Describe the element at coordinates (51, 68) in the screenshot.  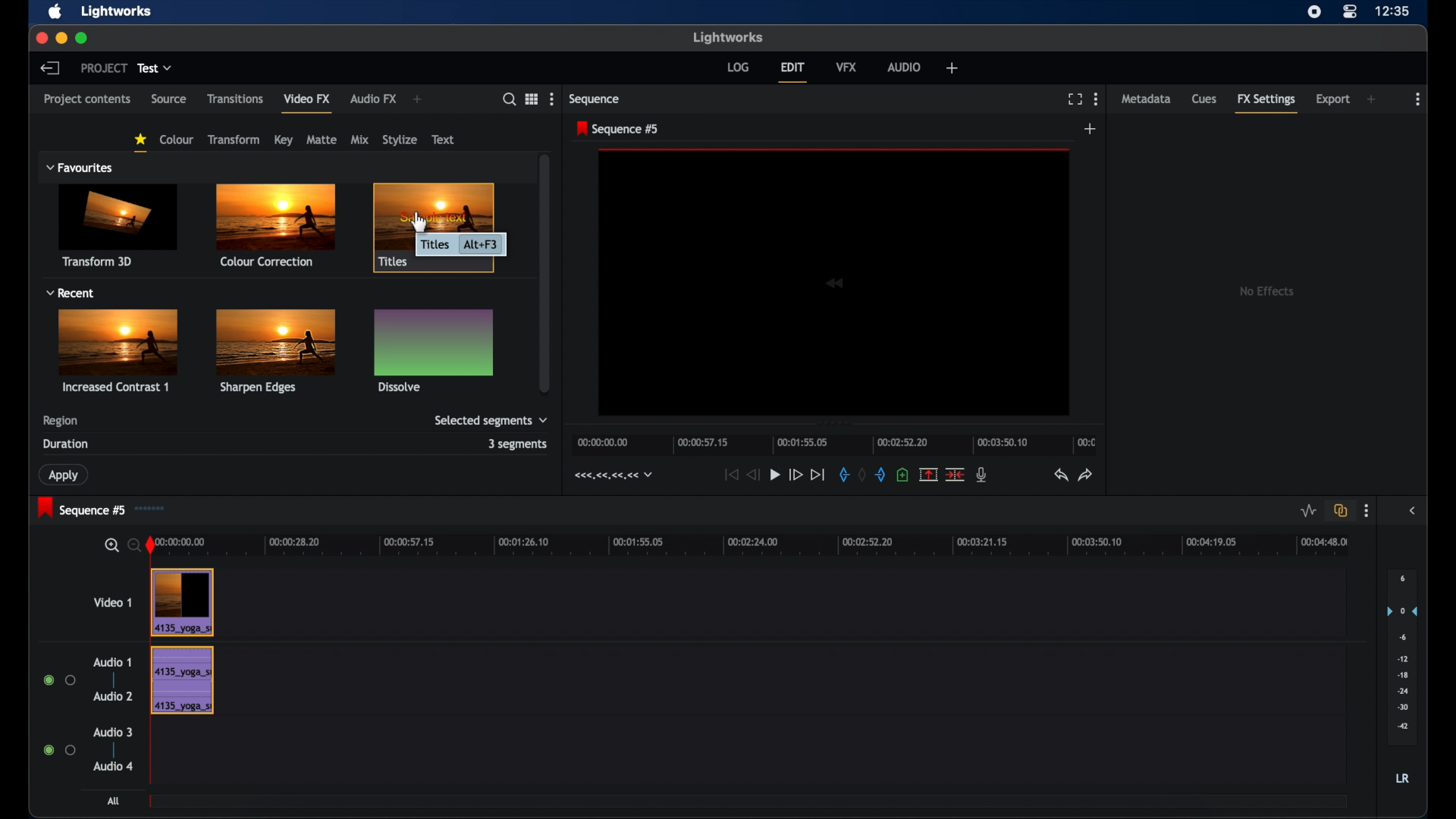
I see `back` at that location.